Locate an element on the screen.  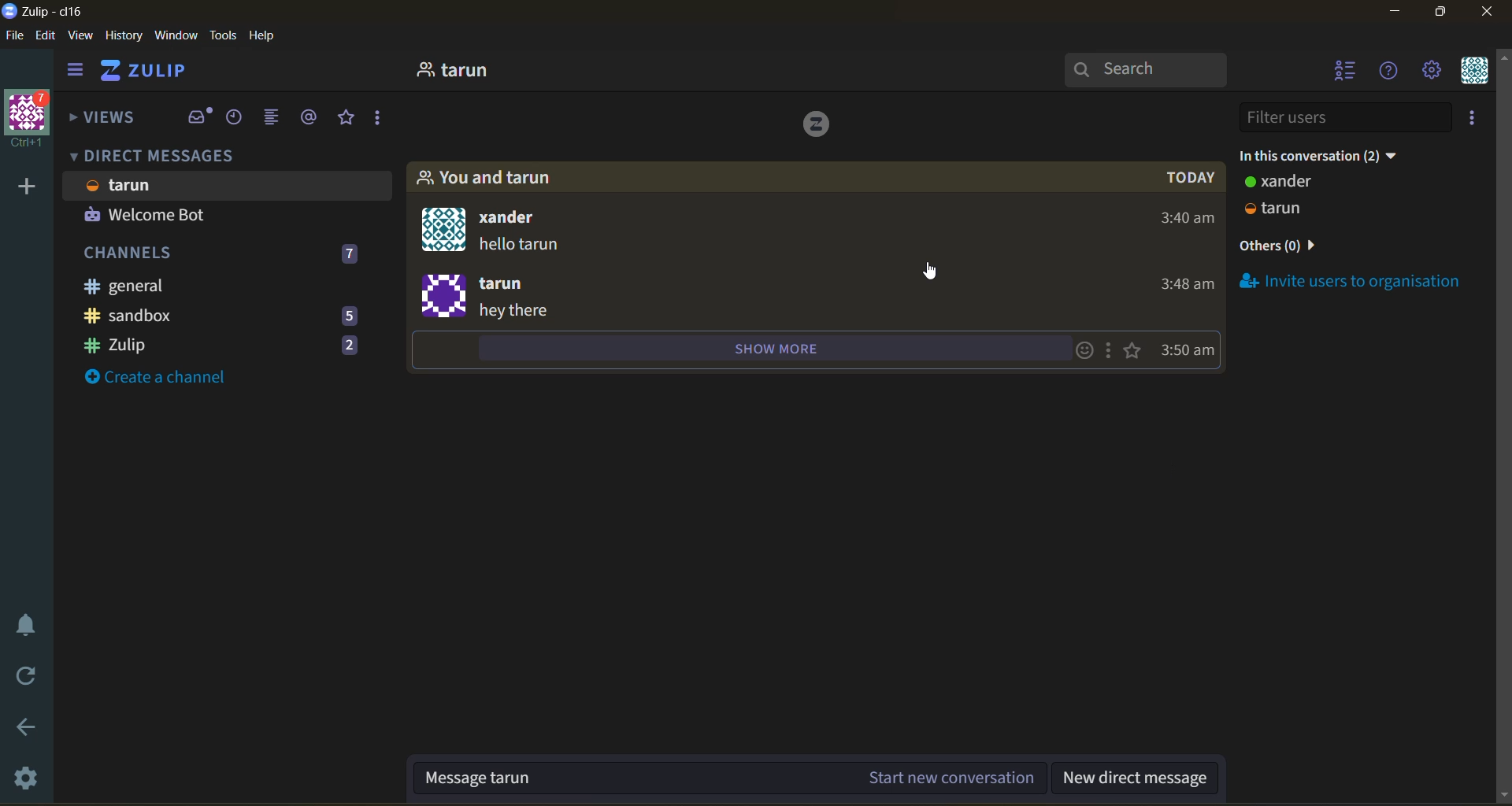
go back is located at coordinates (20, 729).